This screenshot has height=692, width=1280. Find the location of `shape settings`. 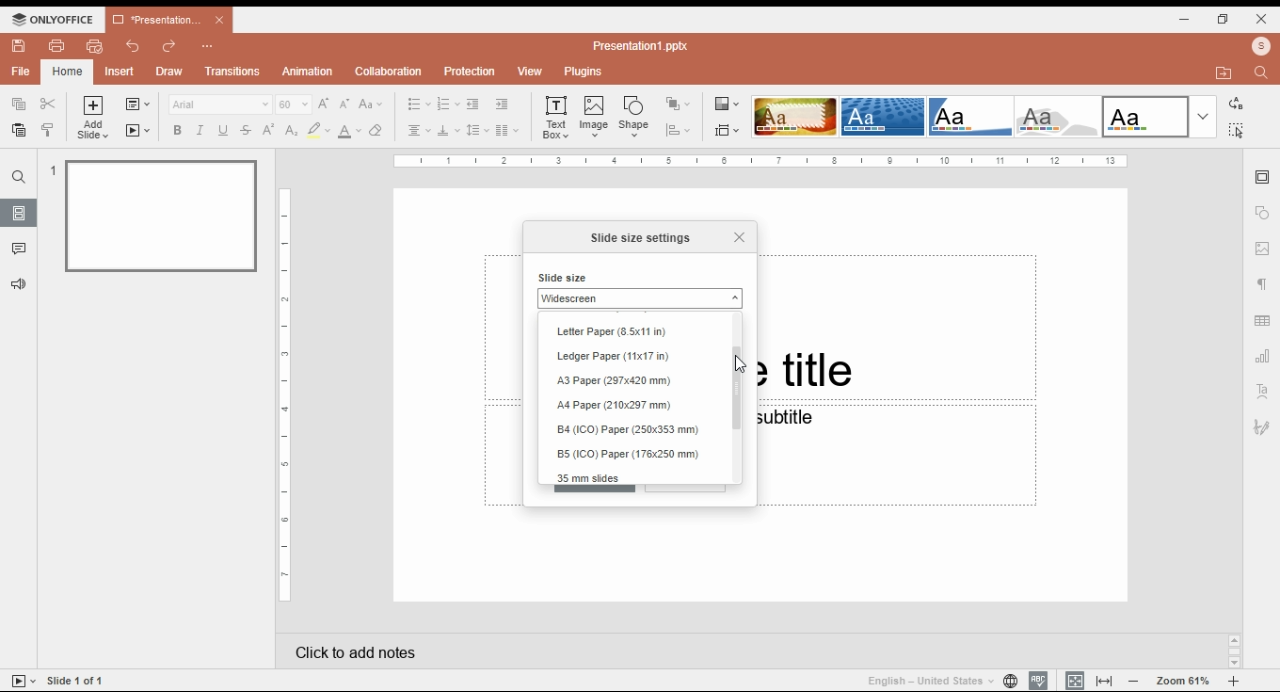

shape settings is located at coordinates (1263, 213).